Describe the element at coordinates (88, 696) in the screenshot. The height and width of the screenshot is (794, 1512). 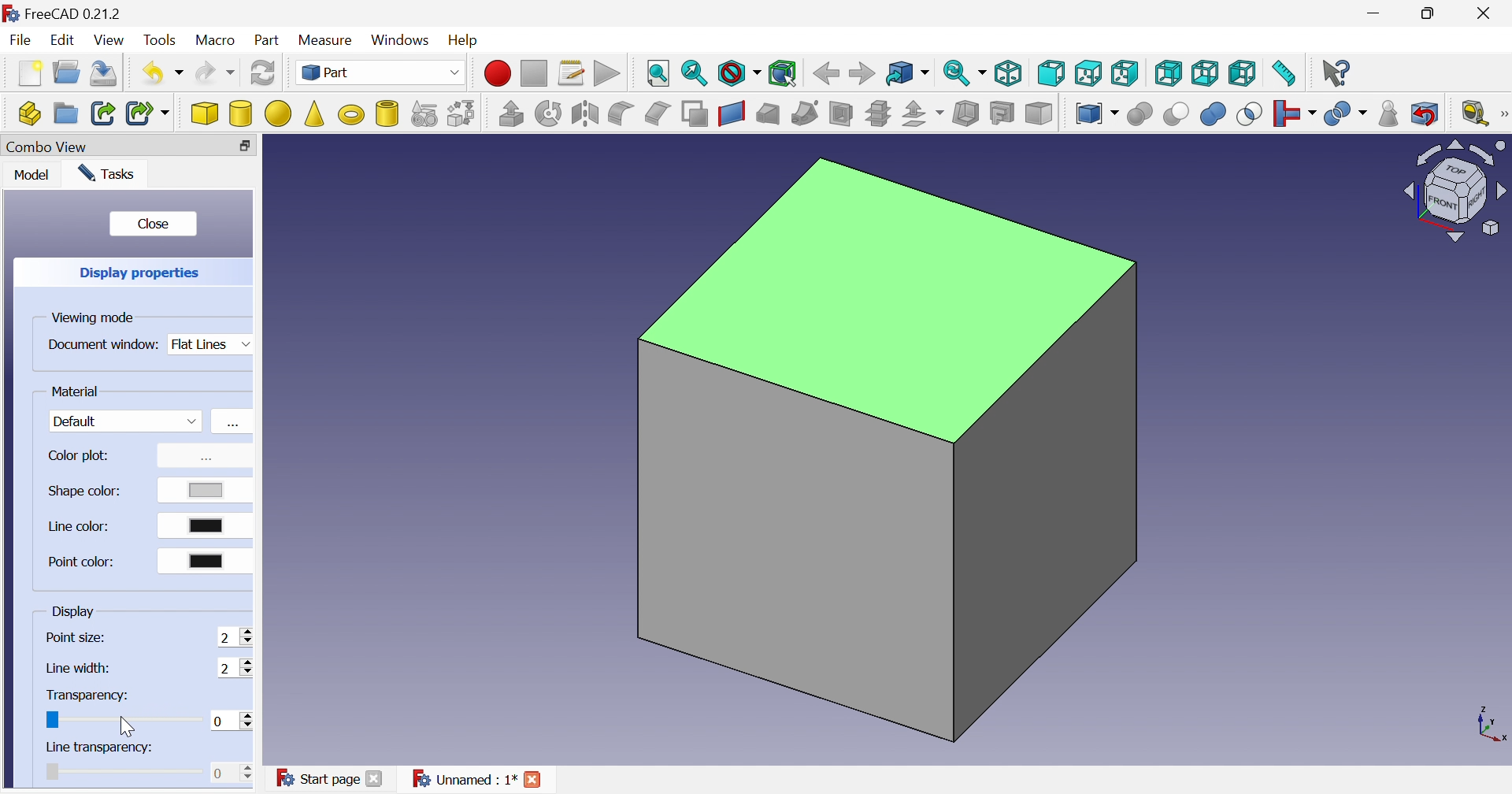
I see `Transparency` at that location.